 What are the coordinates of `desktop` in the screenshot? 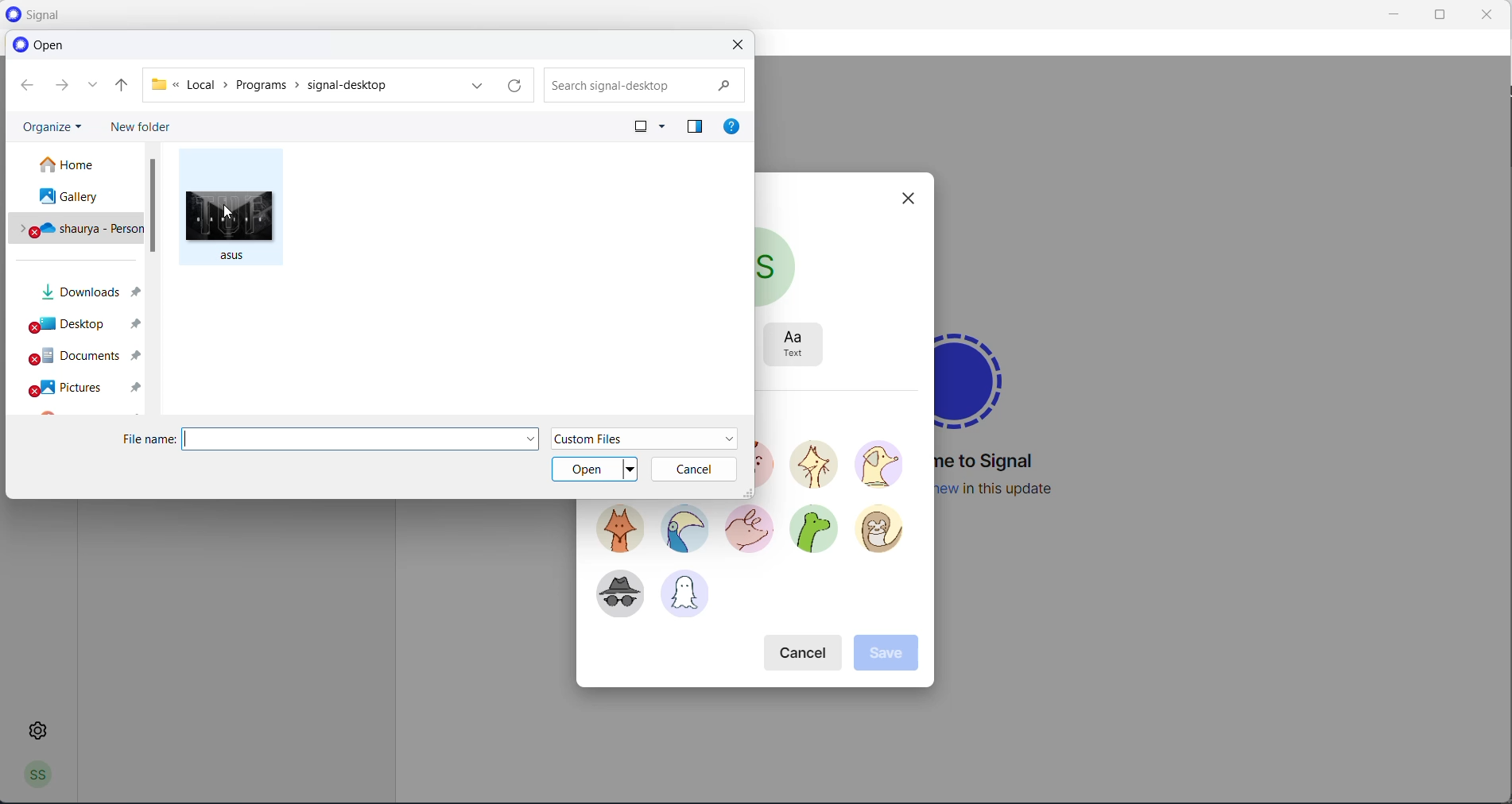 It's located at (87, 328).